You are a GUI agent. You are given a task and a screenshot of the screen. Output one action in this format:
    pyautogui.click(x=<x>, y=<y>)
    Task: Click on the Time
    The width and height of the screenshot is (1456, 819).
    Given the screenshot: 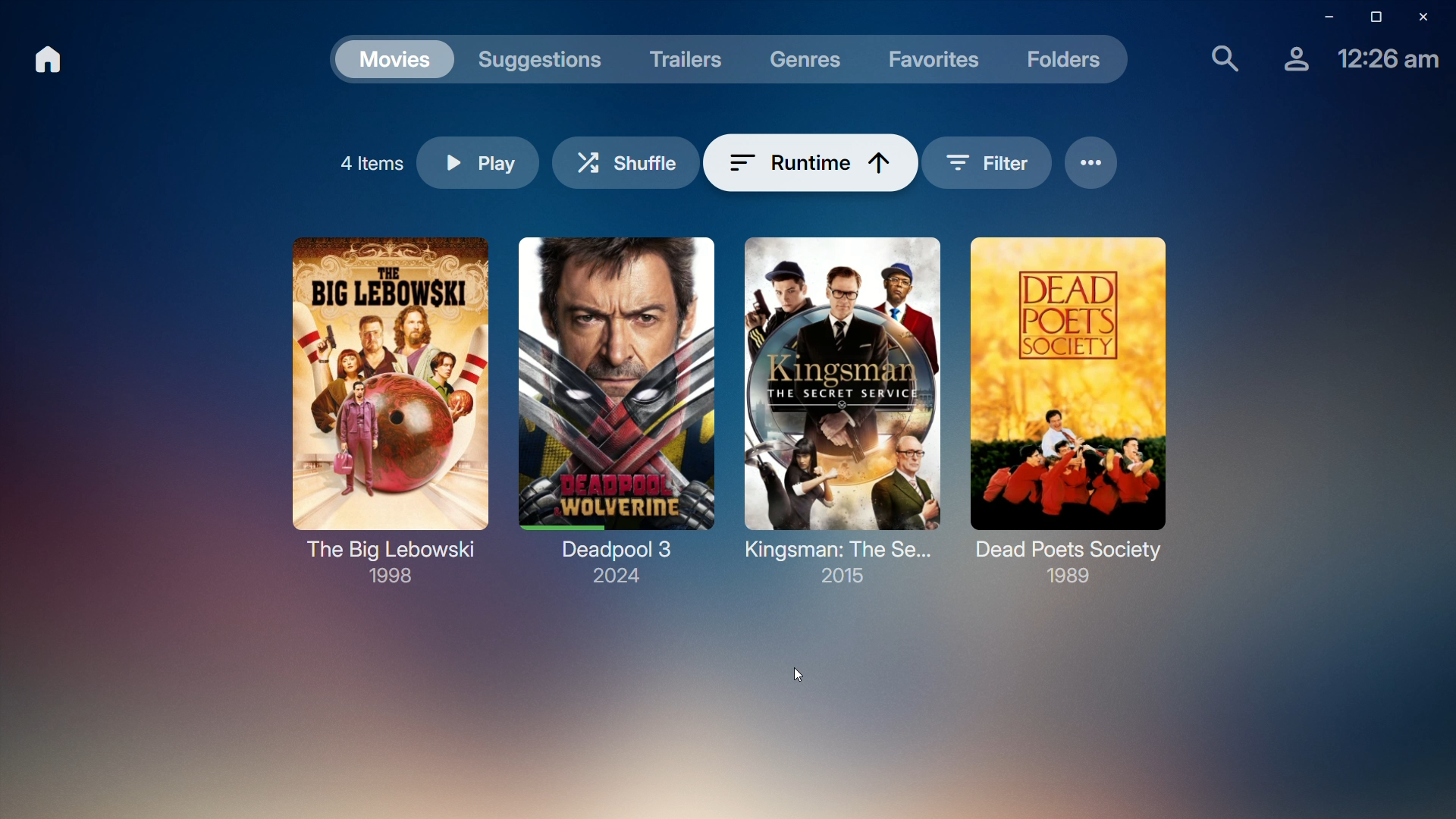 What is the action you would take?
    pyautogui.click(x=1384, y=64)
    